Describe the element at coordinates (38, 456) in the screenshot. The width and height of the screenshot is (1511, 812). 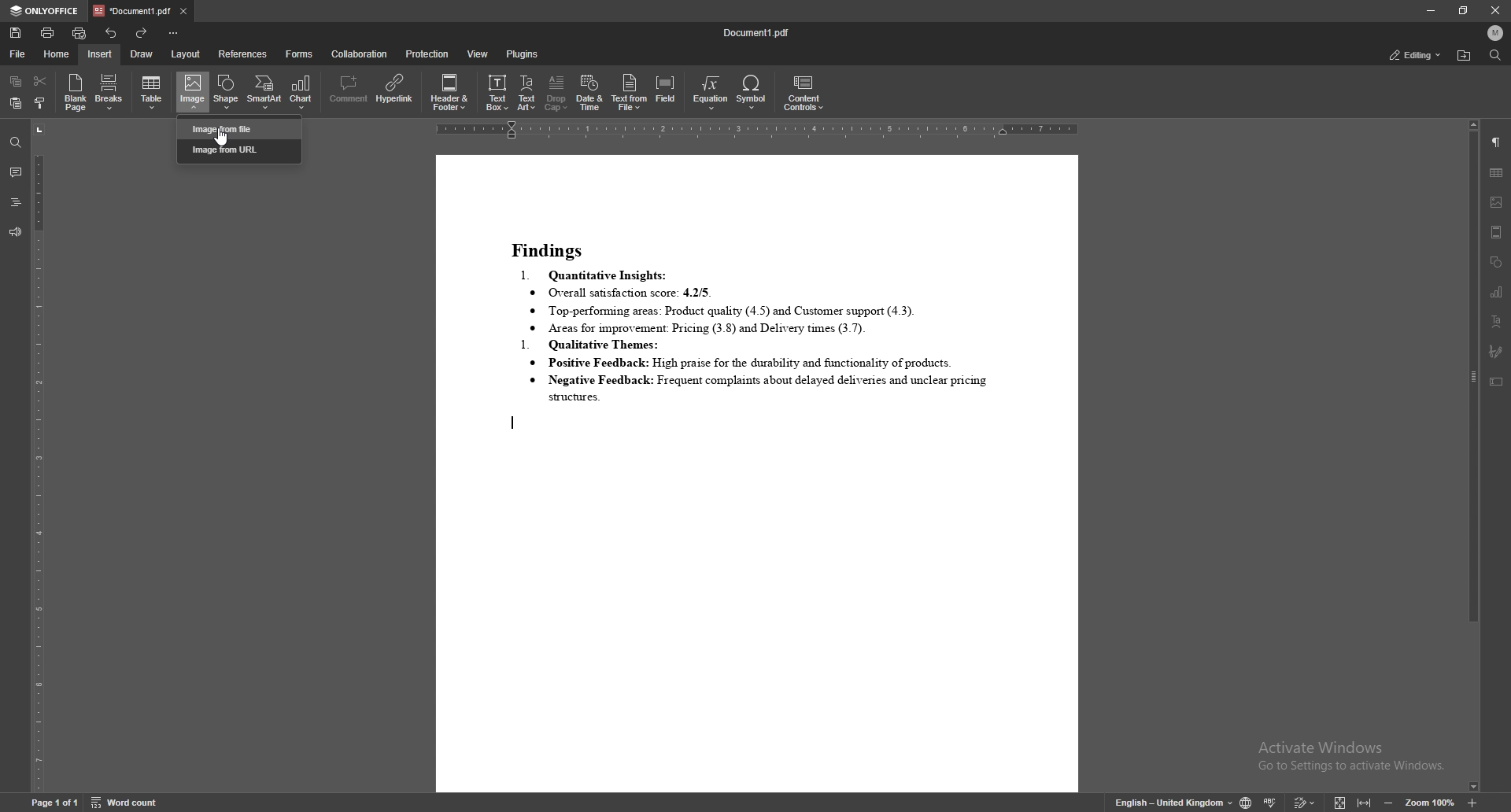
I see `vertical scale` at that location.